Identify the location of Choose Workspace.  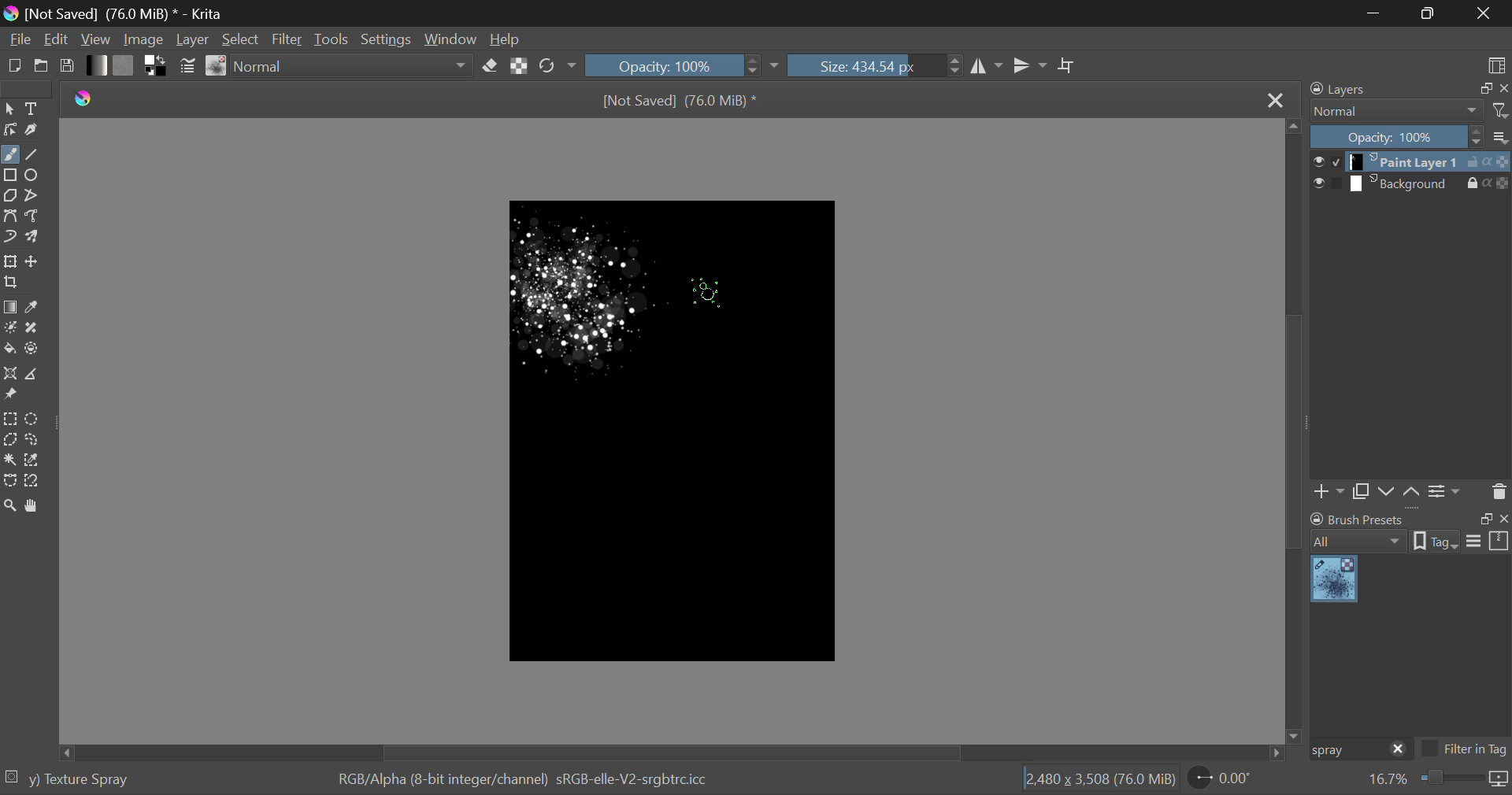
(1496, 65).